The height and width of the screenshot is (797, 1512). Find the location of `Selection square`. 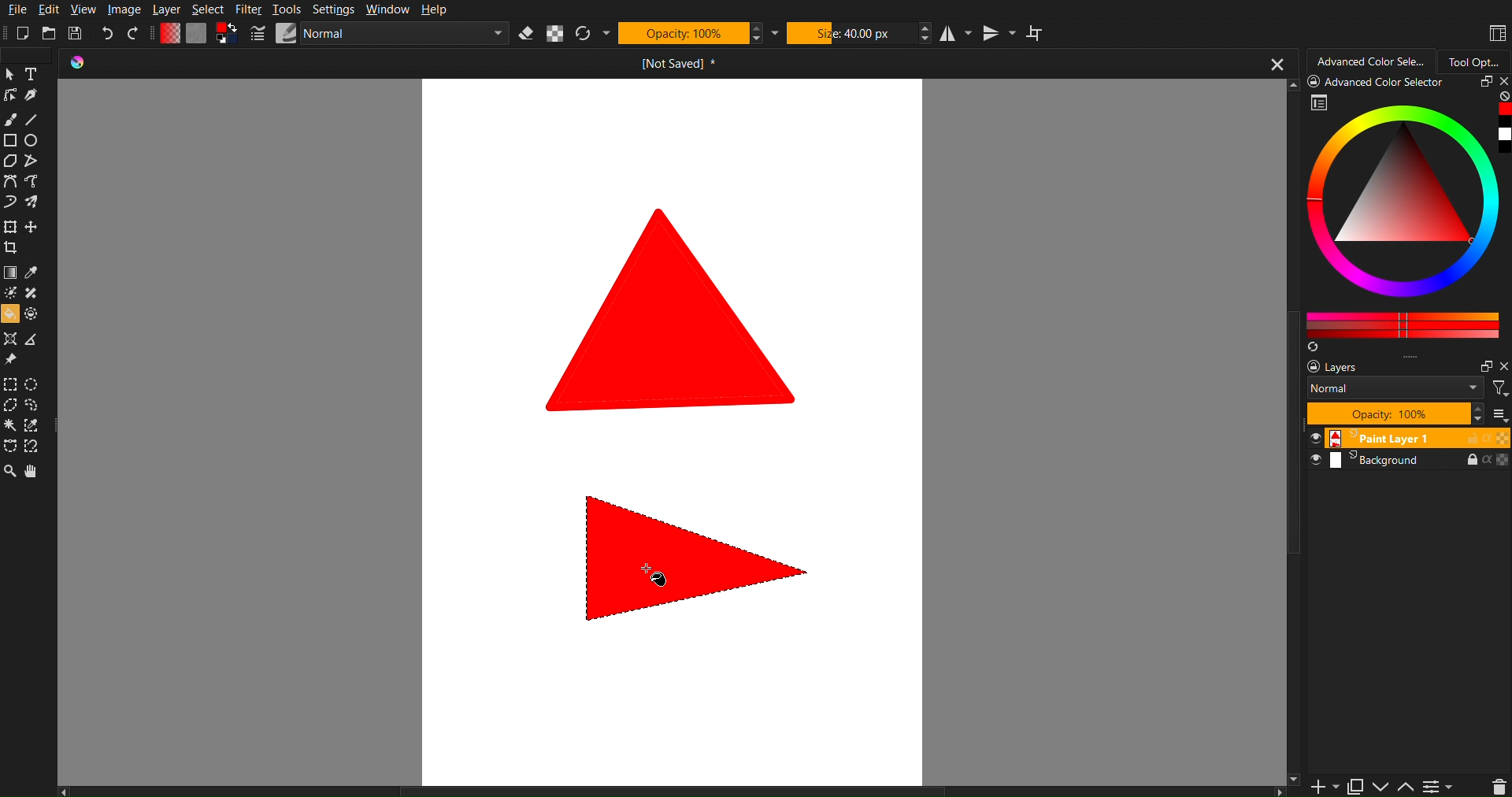

Selection square is located at coordinates (9, 384).